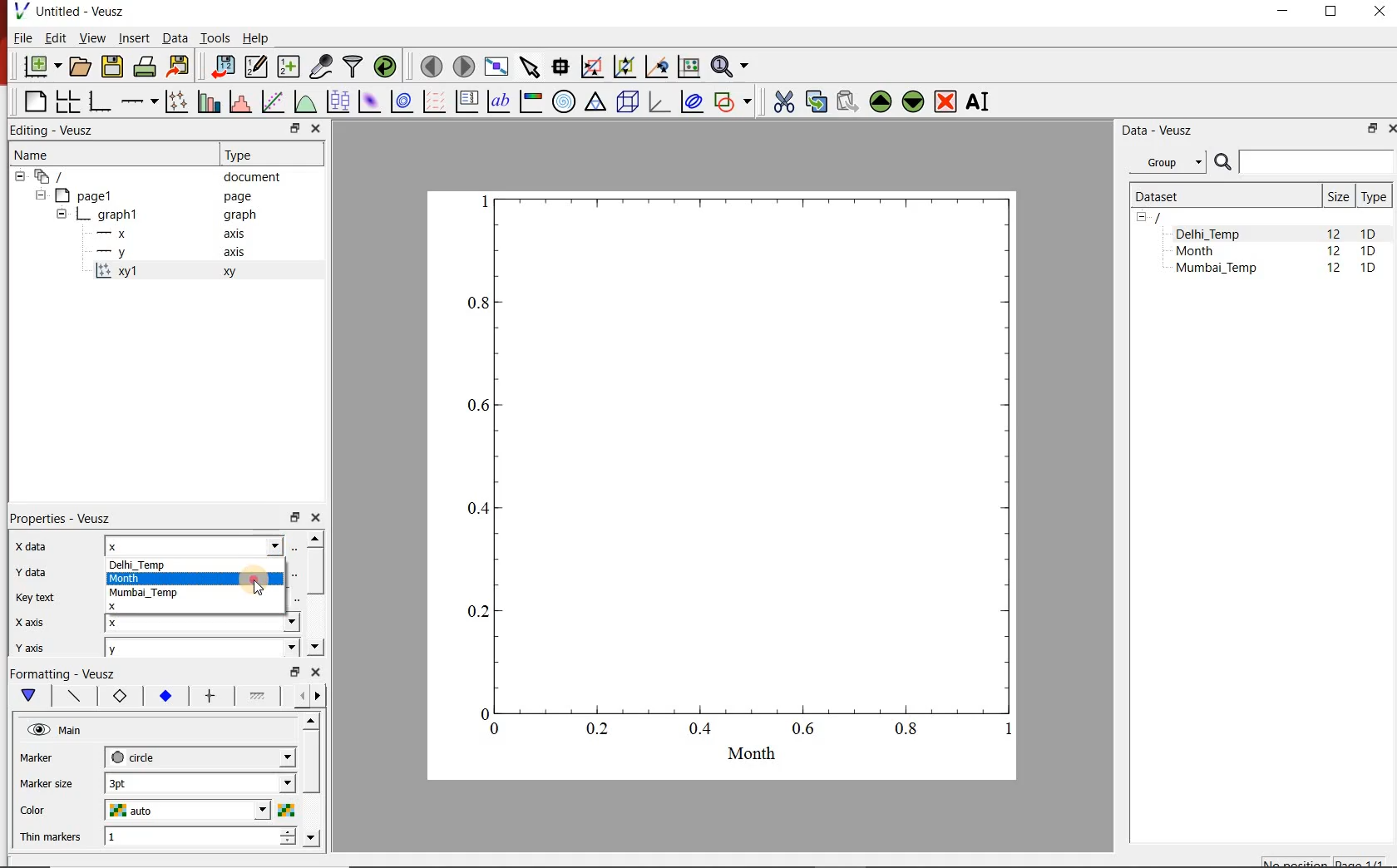  Describe the element at coordinates (531, 101) in the screenshot. I see `image color bar` at that location.